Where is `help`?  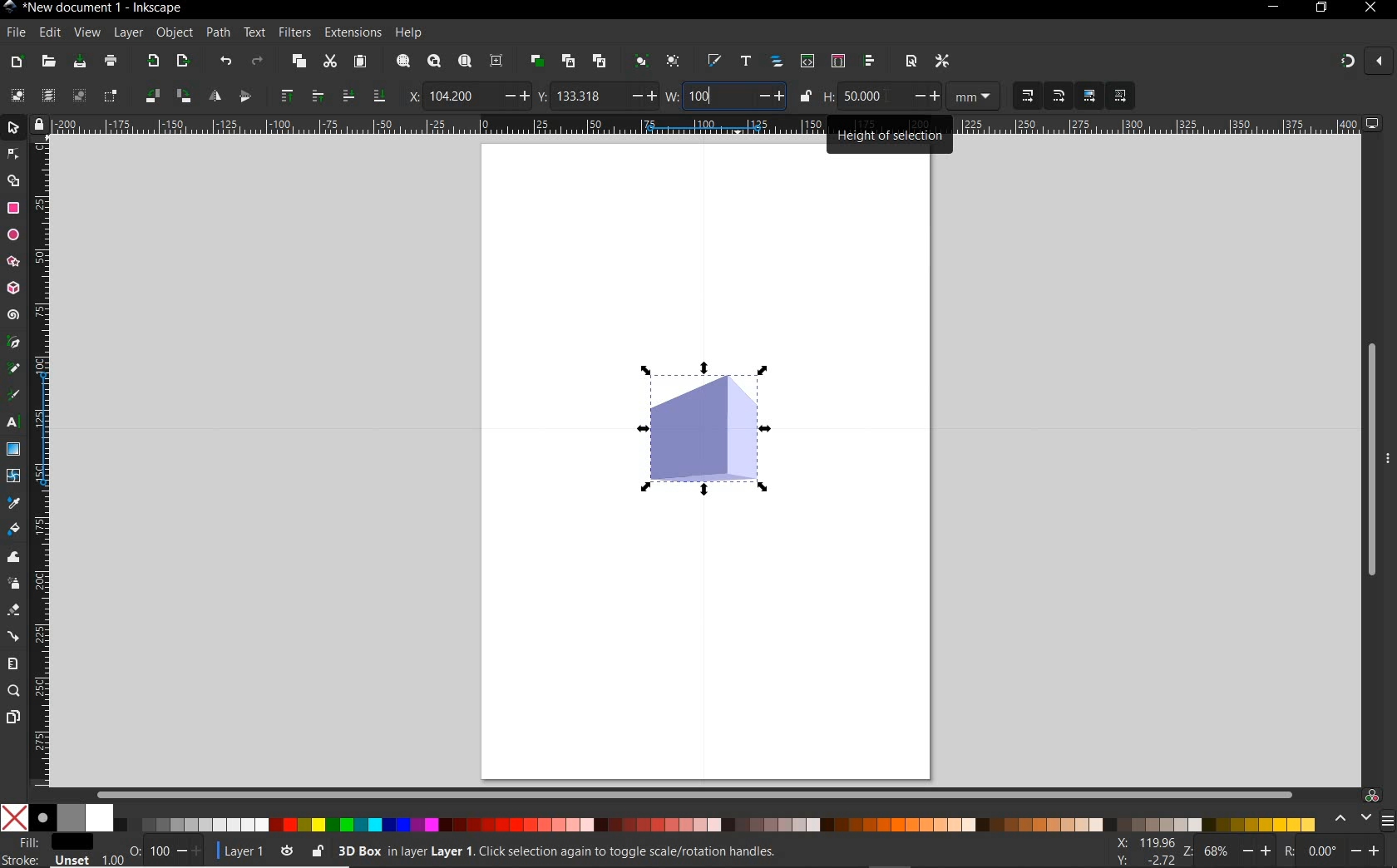 help is located at coordinates (410, 32).